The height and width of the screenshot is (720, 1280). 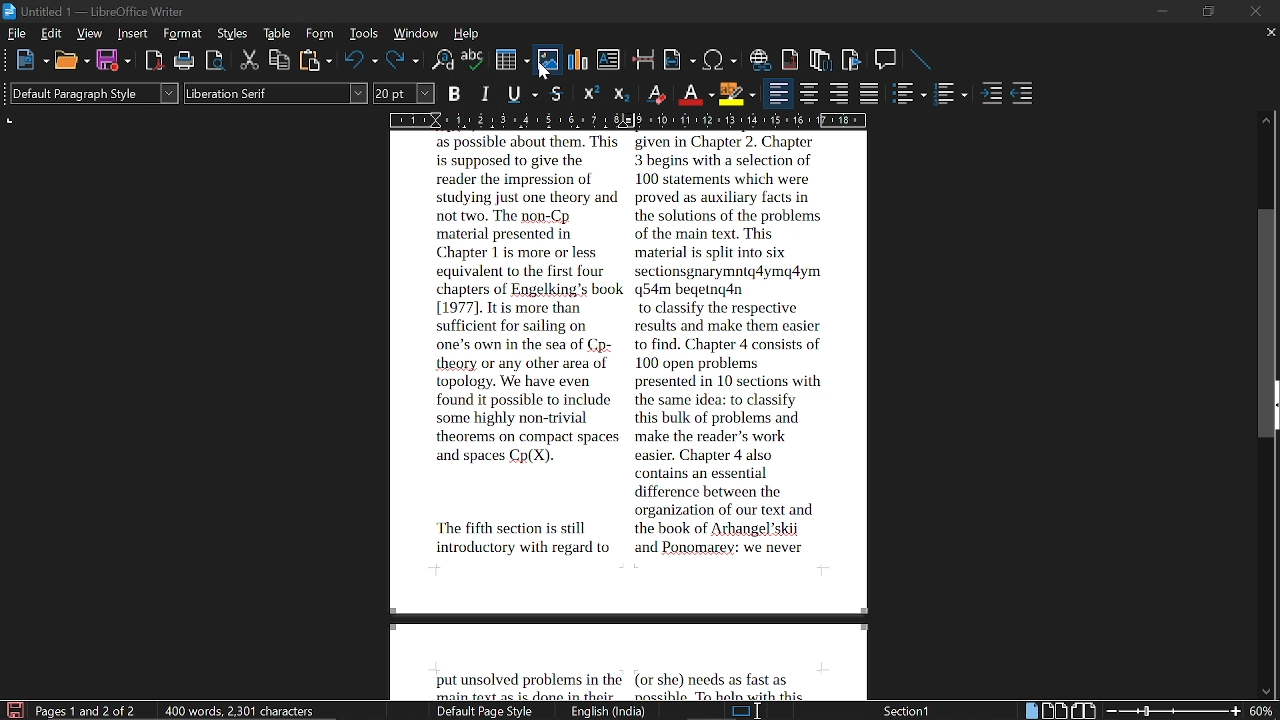 What do you see at coordinates (1024, 93) in the screenshot?
I see `decrease indent` at bounding box center [1024, 93].